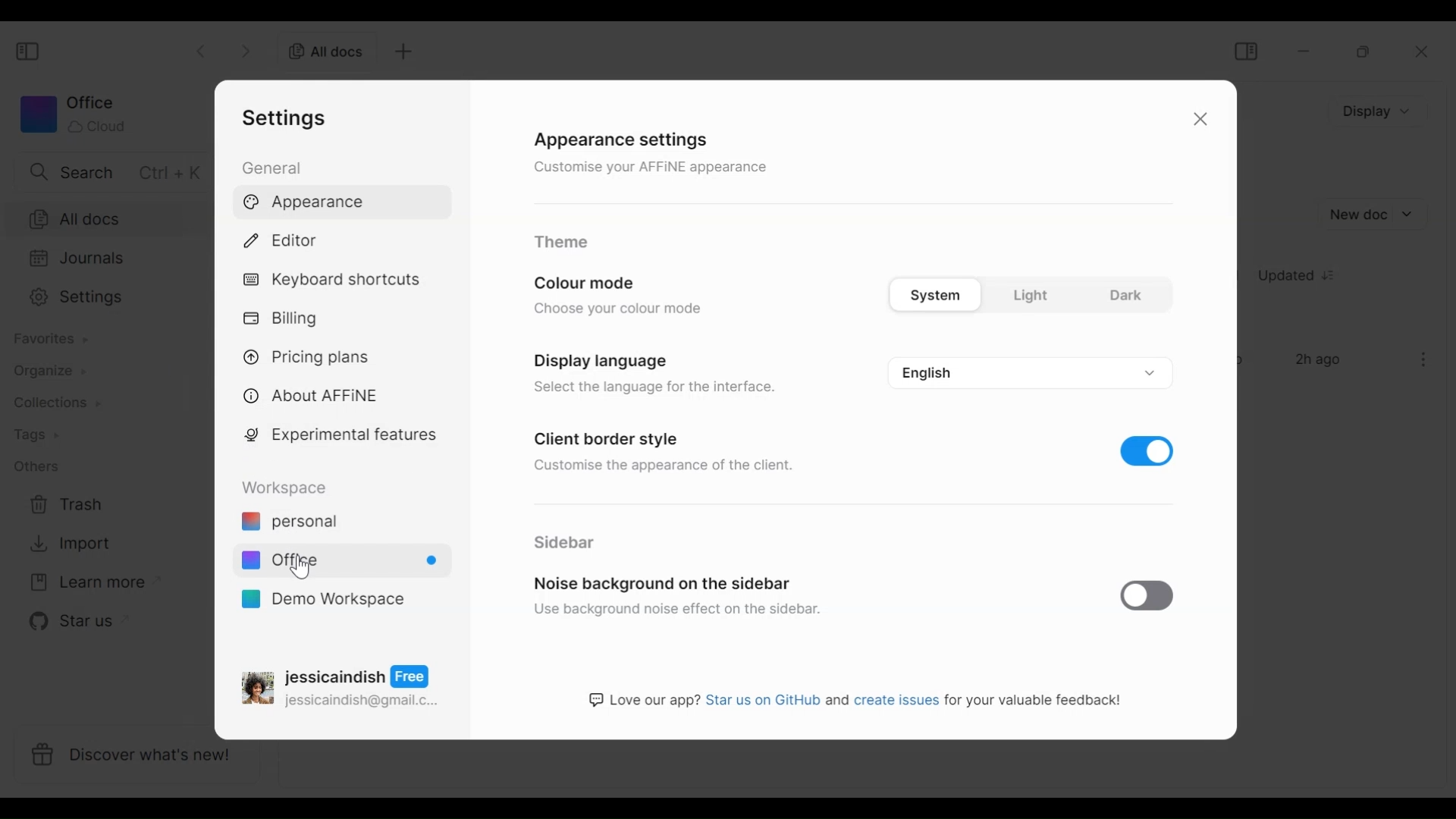  What do you see at coordinates (344, 438) in the screenshot?
I see `Experimental features` at bounding box center [344, 438].